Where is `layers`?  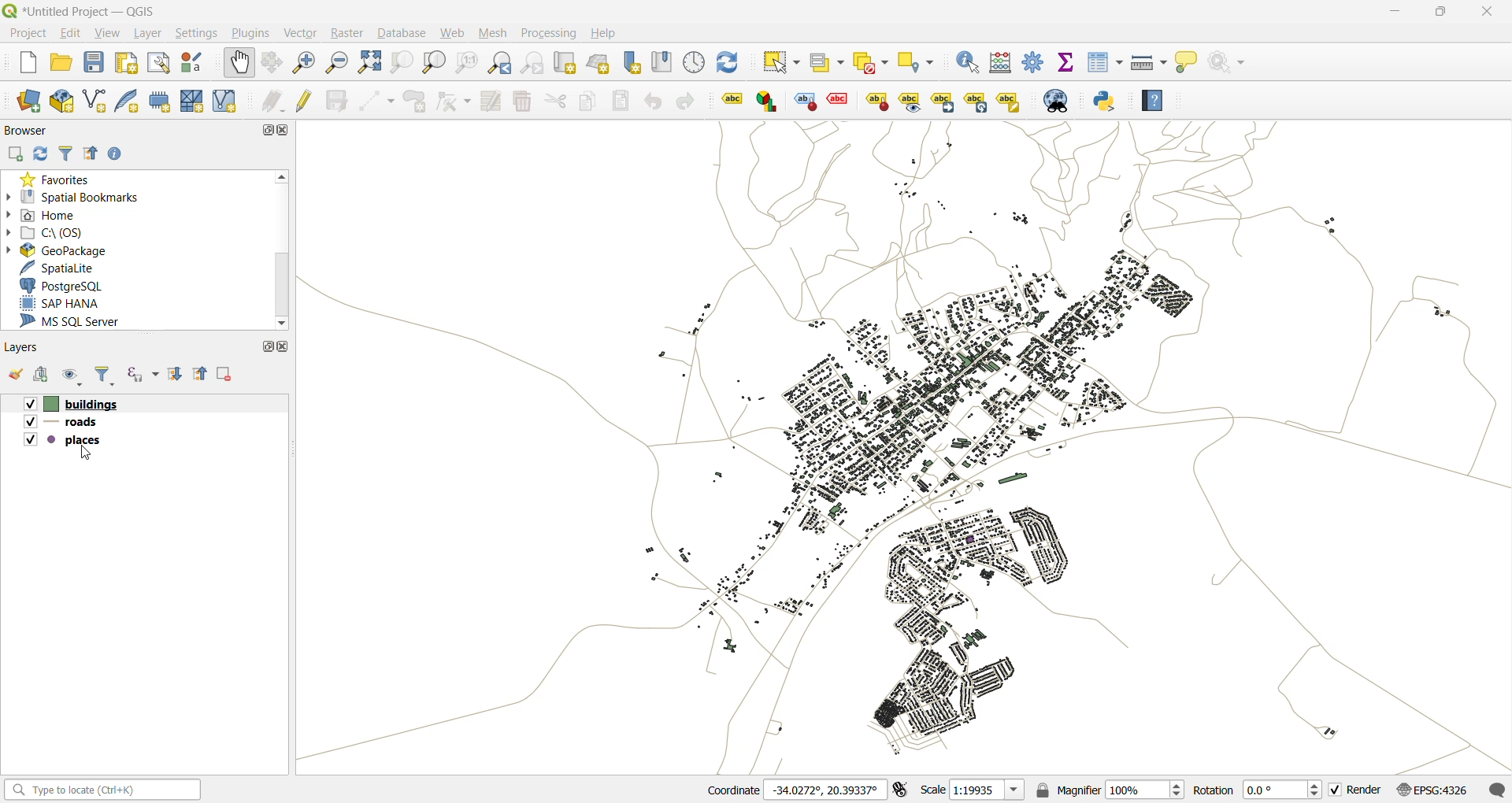
layers is located at coordinates (72, 403).